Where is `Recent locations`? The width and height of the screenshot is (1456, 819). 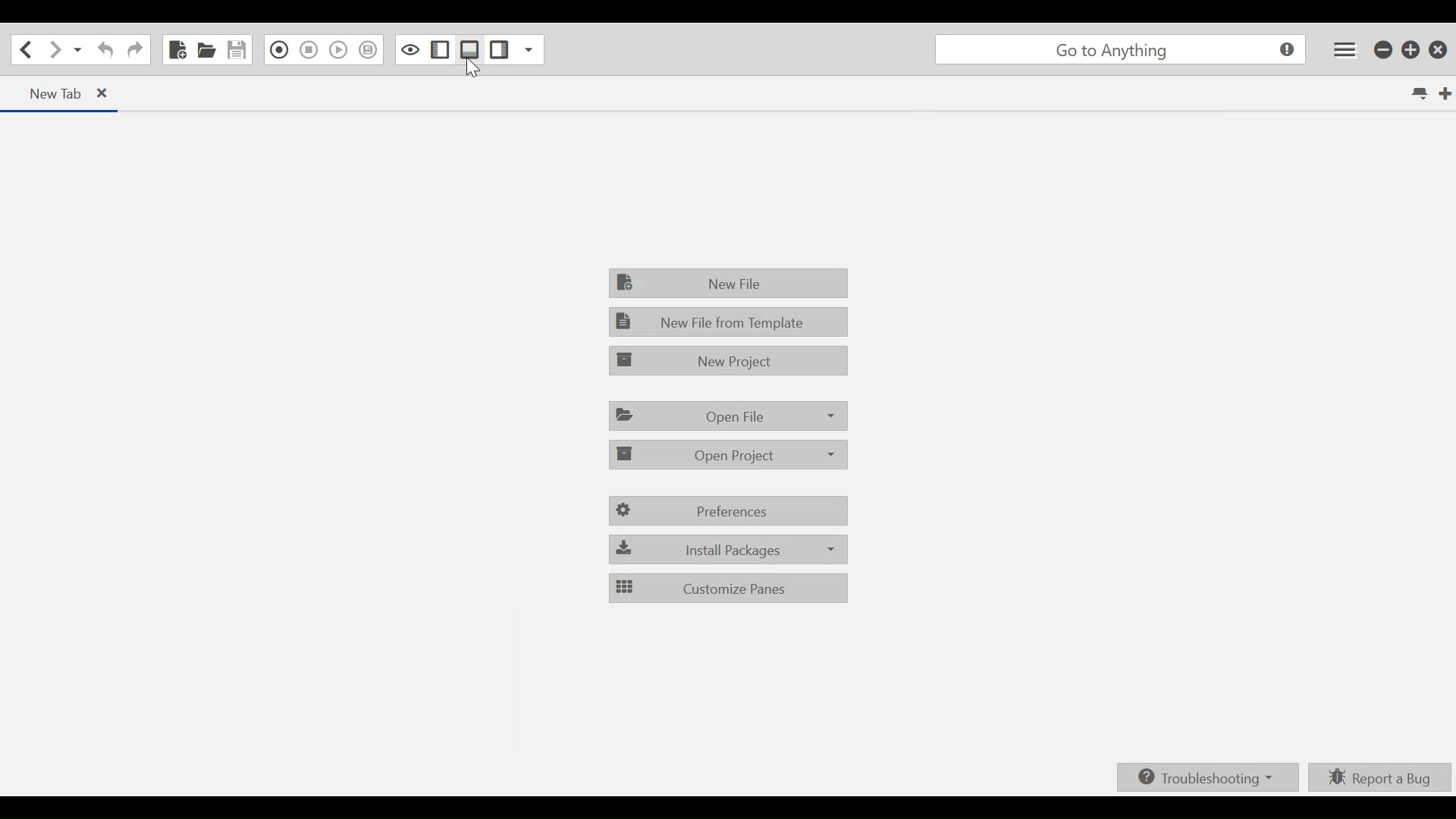 Recent locations is located at coordinates (78, 49).